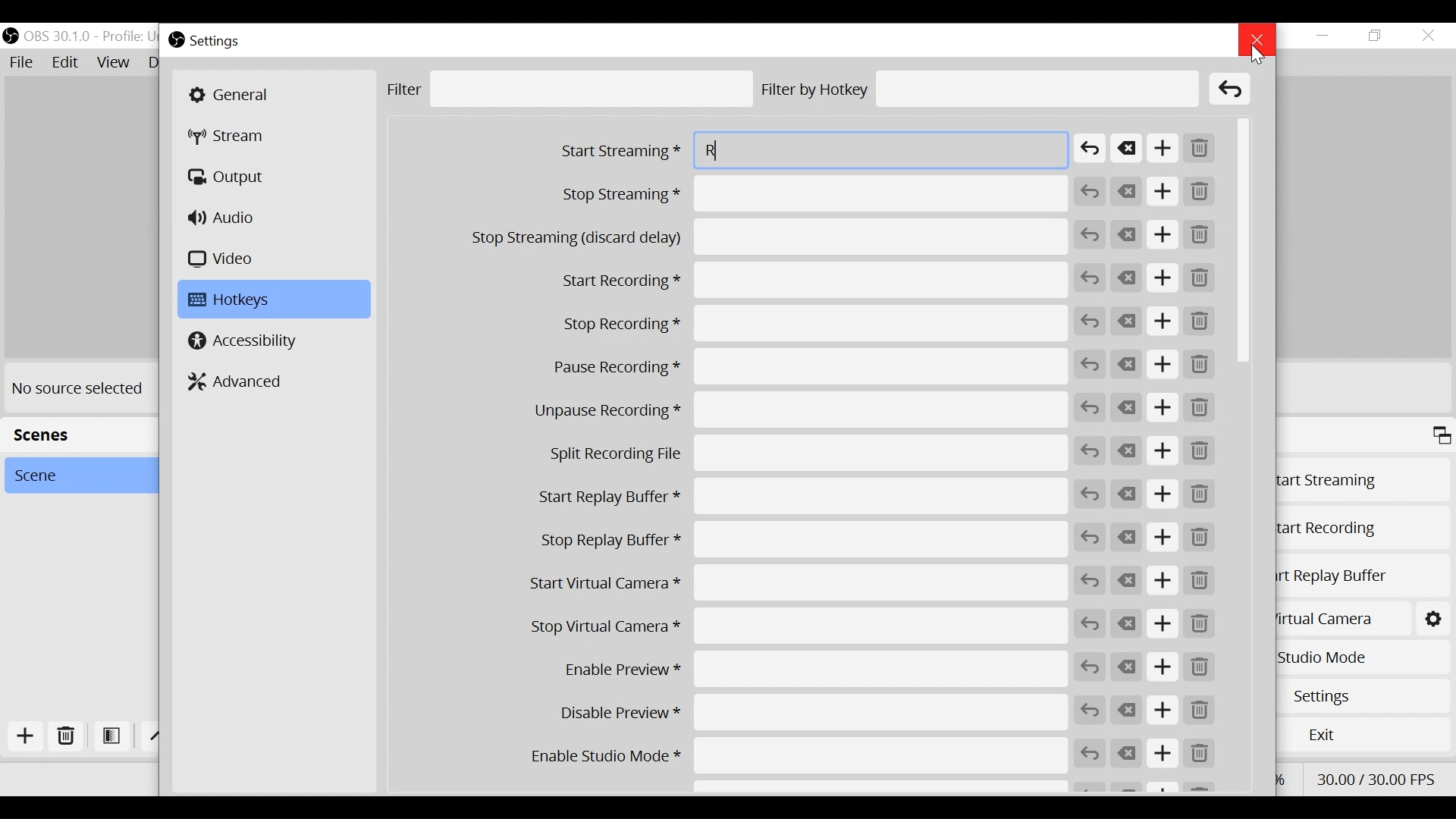  I want to click on Add, so click(1163, 407).